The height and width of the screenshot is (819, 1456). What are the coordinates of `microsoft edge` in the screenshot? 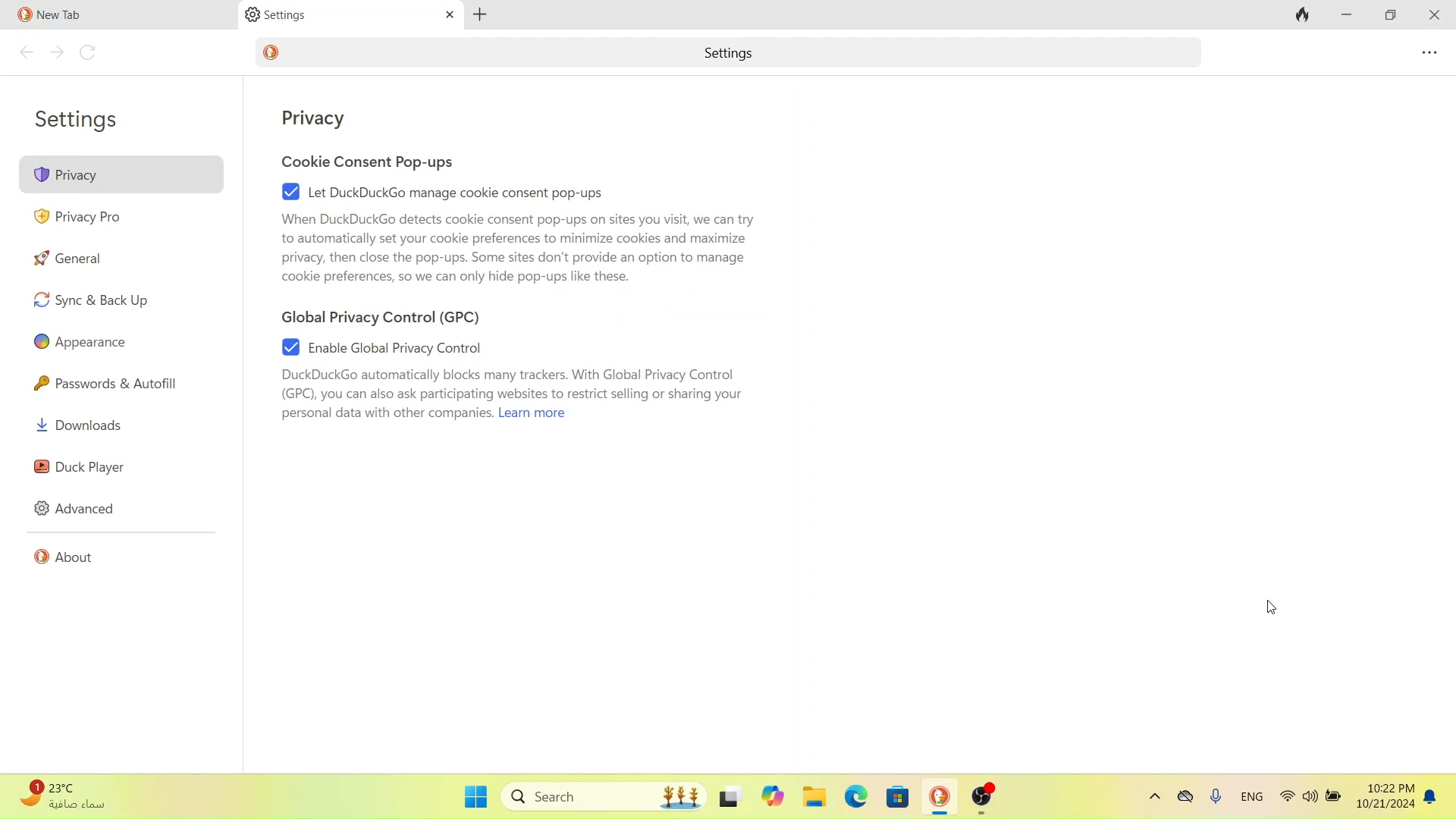 It's located at (856, 798).